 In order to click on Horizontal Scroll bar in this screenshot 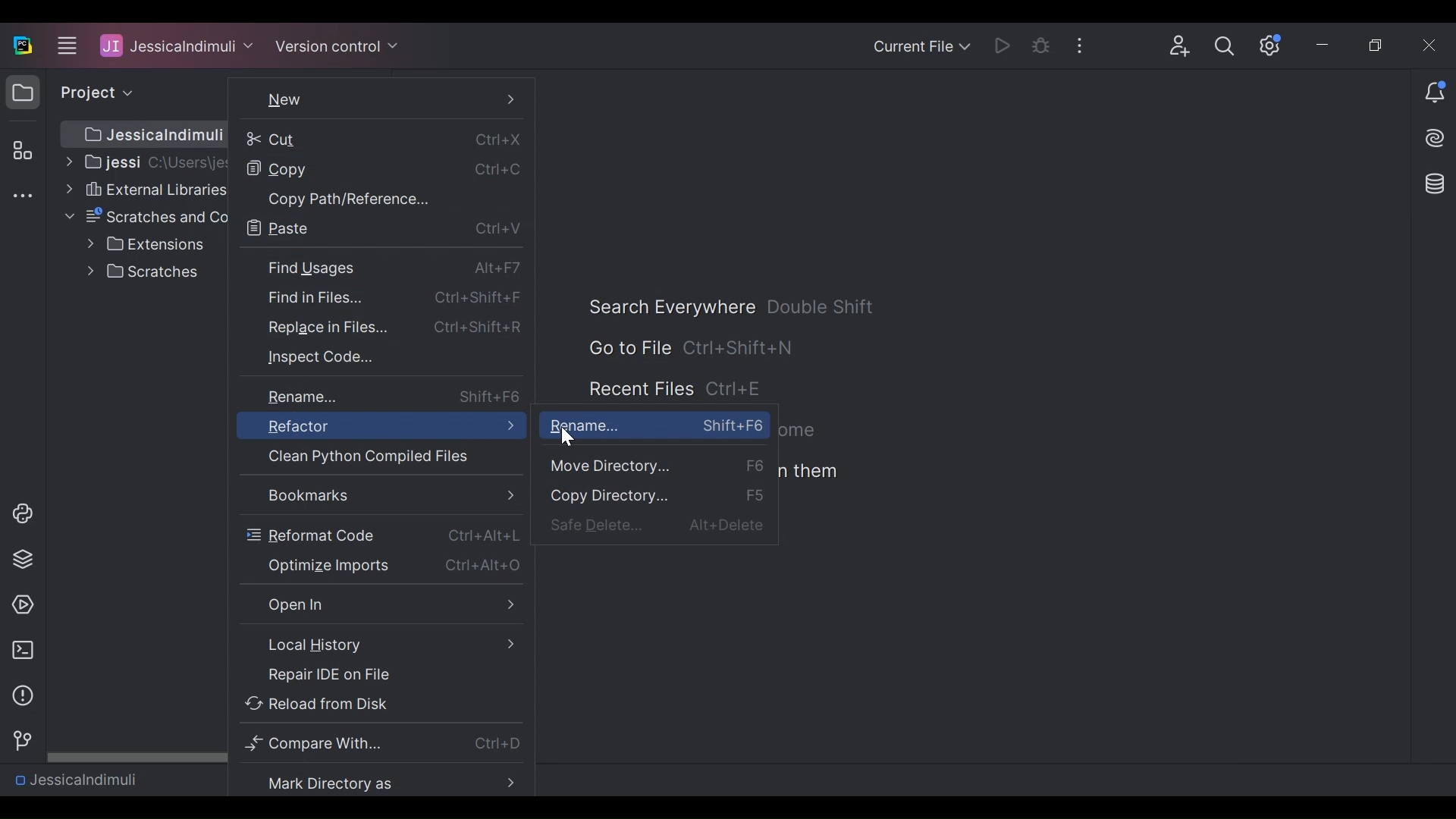, I will do `click(135, 755)`.